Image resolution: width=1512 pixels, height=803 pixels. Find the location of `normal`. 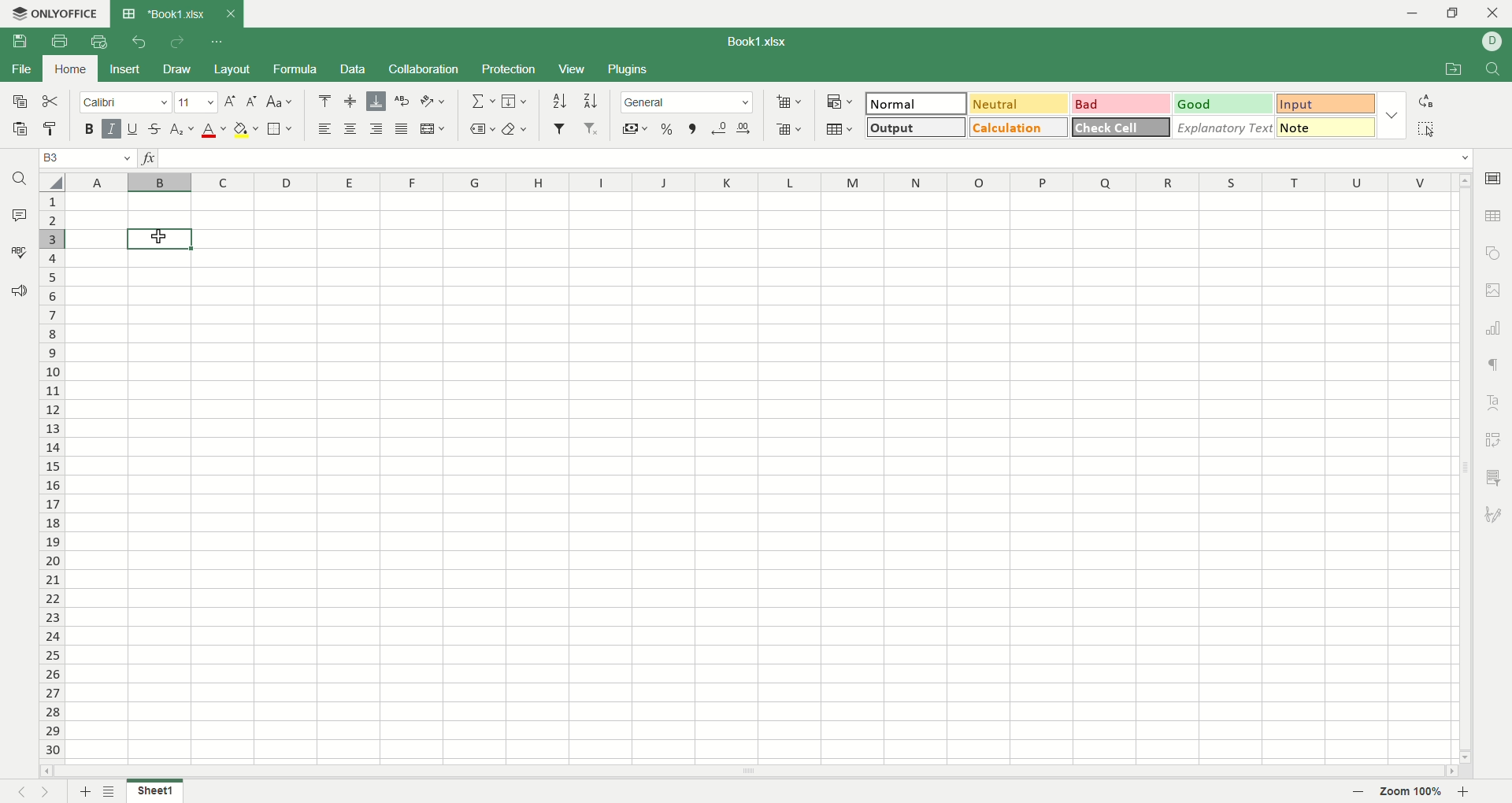

normal is located at coordinates (916, 103).